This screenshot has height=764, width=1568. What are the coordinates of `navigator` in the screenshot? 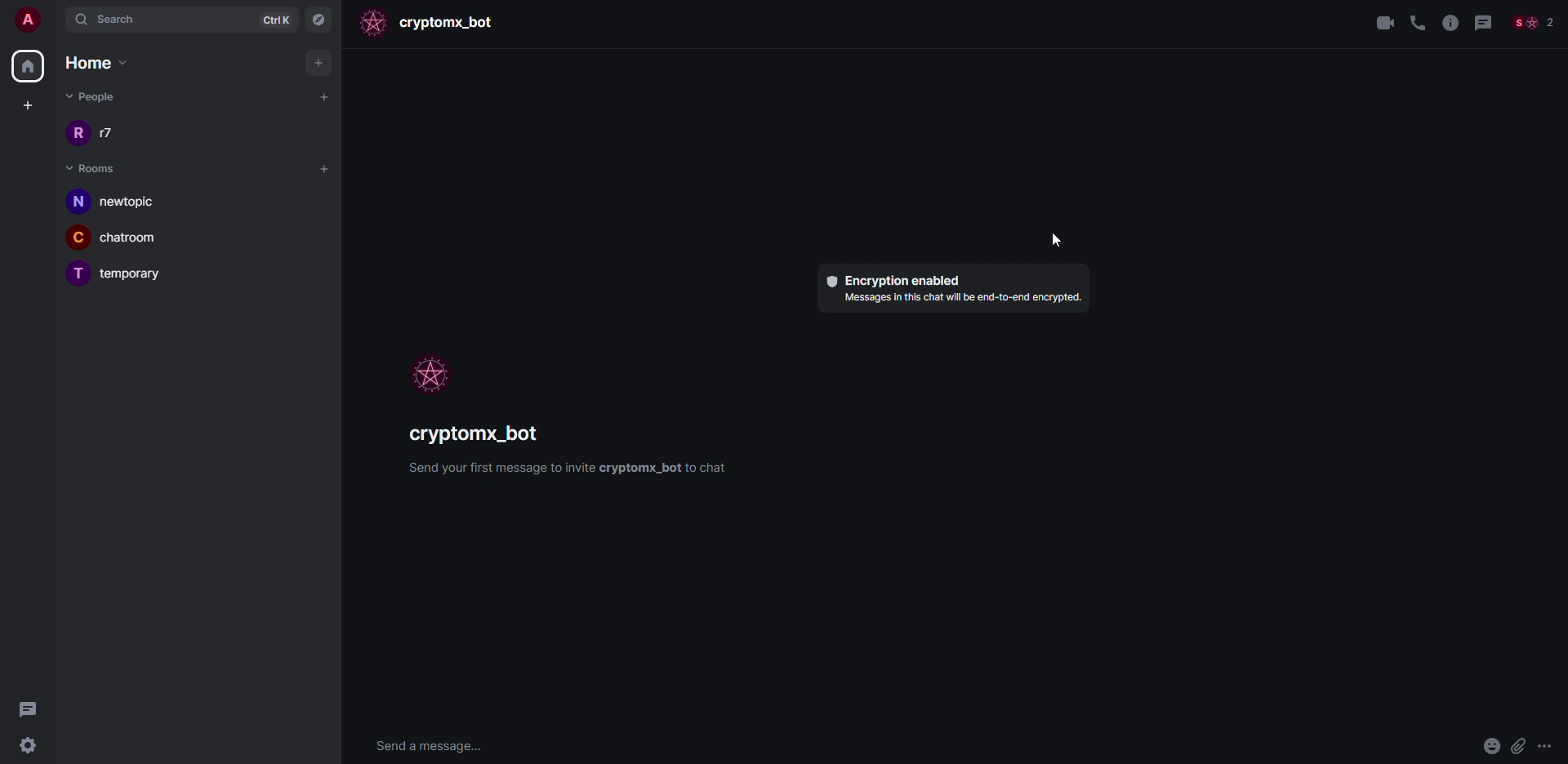 It's located at (319, 20).